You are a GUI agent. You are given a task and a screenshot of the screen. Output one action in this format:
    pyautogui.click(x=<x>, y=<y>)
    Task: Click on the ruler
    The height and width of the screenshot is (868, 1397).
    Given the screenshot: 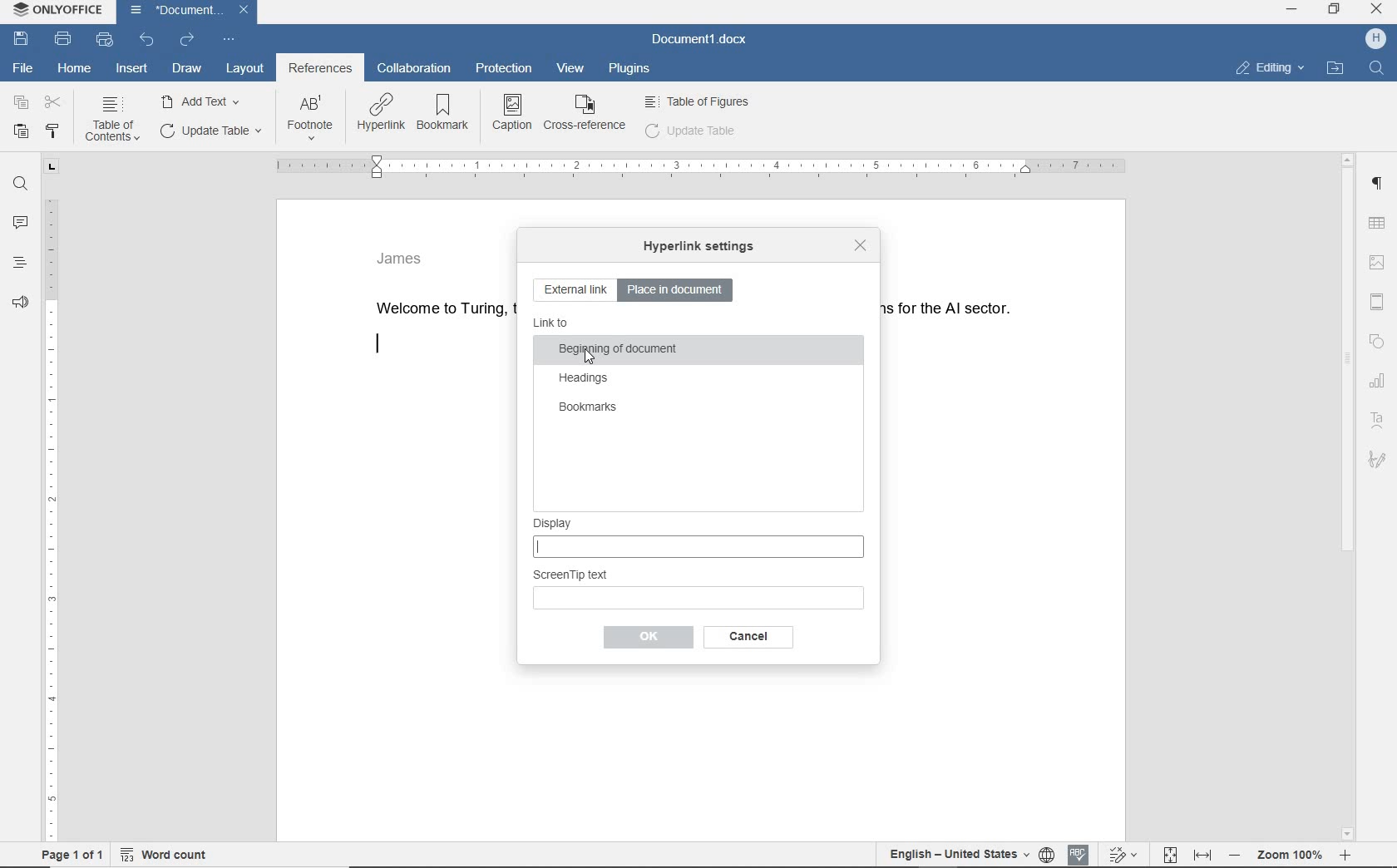 What is the action you would take?
    pyautogui.click(x=50, y=501)
    